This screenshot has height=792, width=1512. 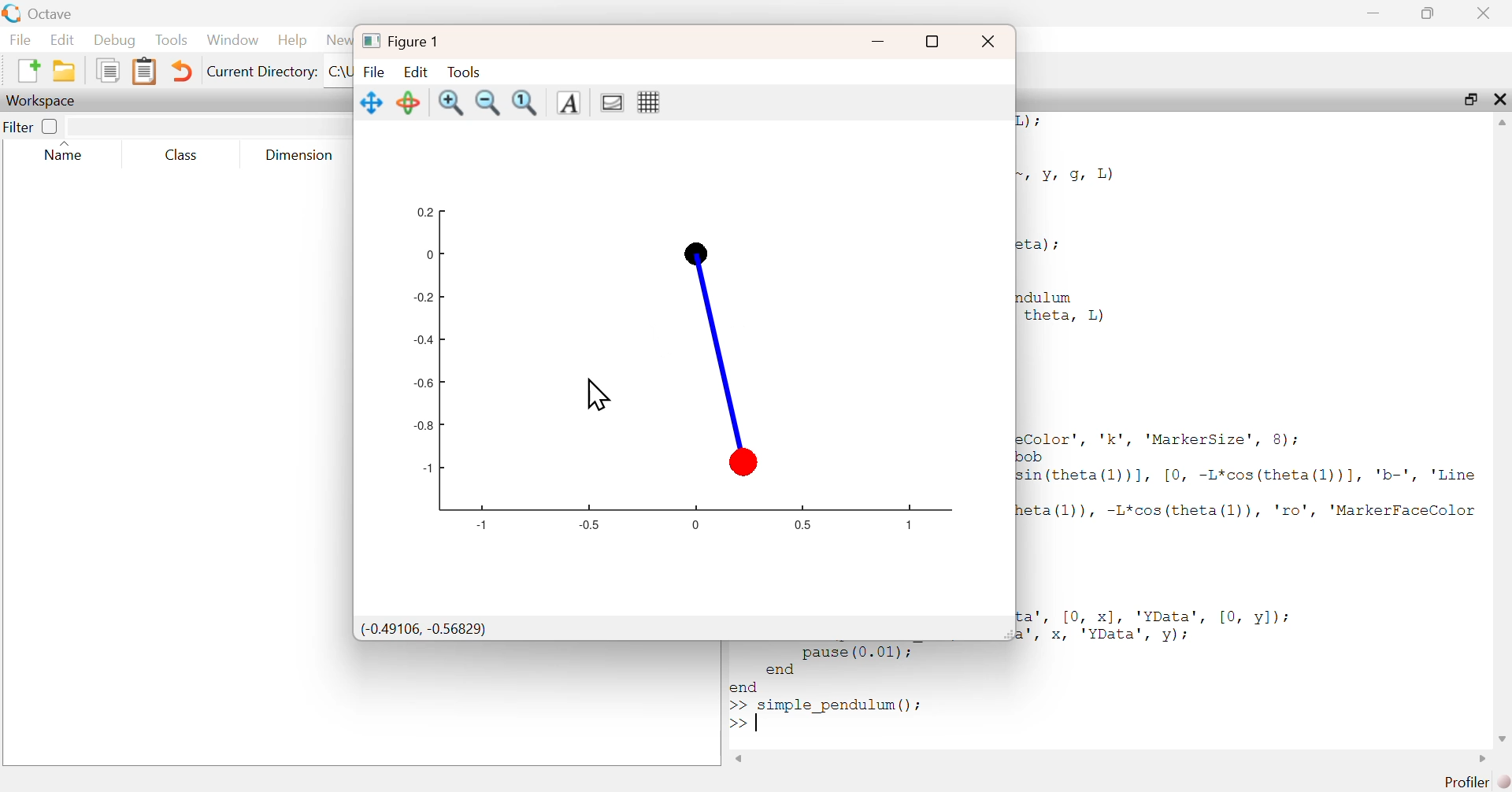 What do you see at coordinates (573, 103) in the screenshot?
I see `Insert Text` at bounding box center [573, 103].